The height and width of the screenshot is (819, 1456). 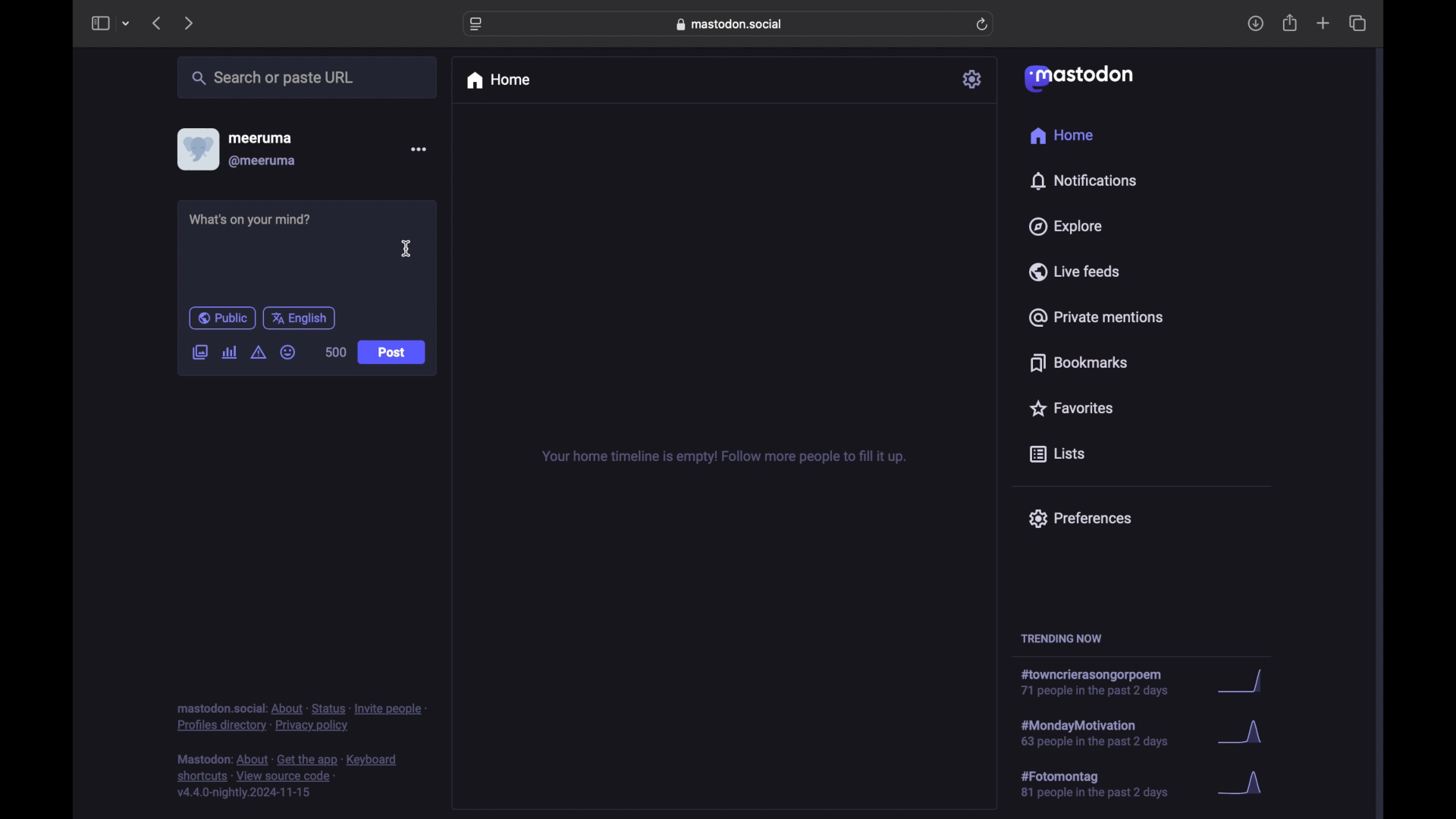 What do you see at coordinates (1061, 639) in the screenshot?
I see `trending now` at bounding box center [1061, 639].